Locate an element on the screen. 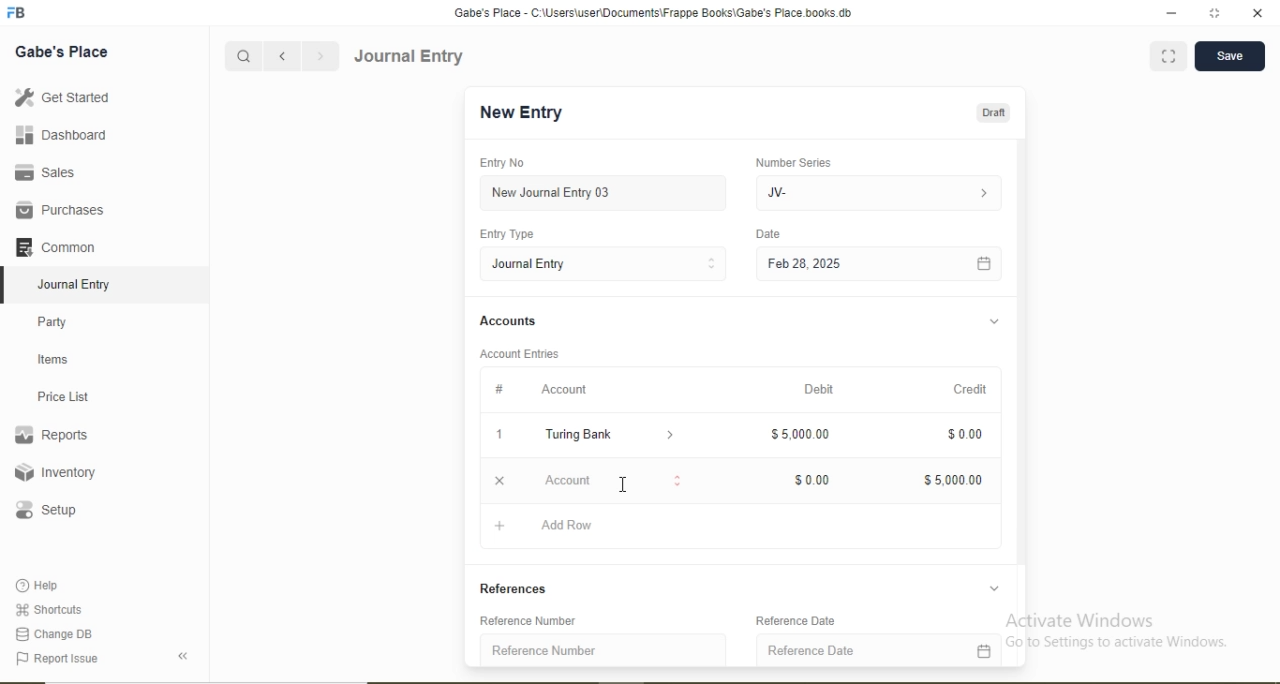 This screenshot has width=1280, height=684. Inventory is located at coordinates (56, 472).